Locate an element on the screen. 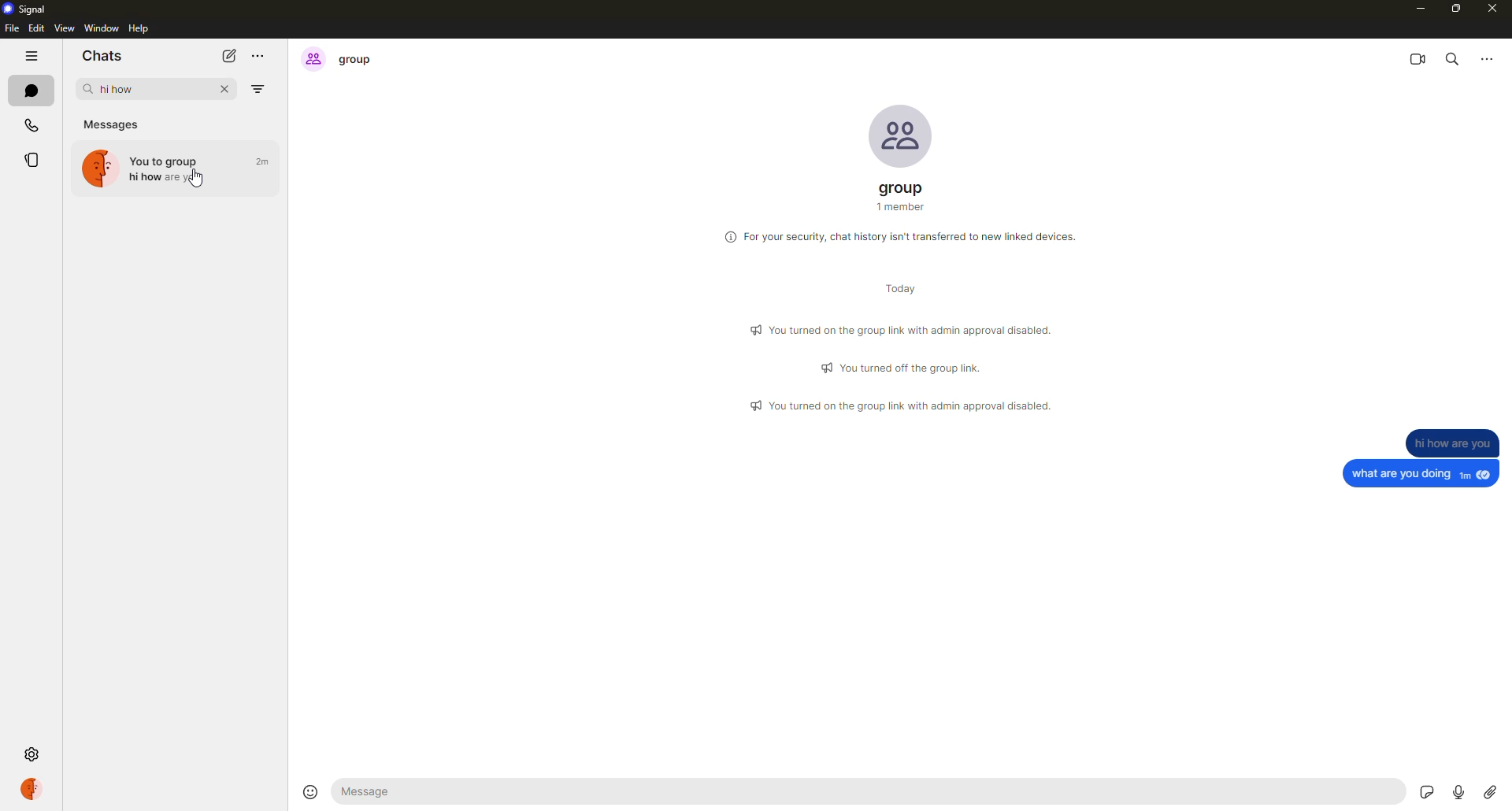 Image resolution: width=1512 pixels, height=811 pixels. calls is located at coordinates (30, 124).